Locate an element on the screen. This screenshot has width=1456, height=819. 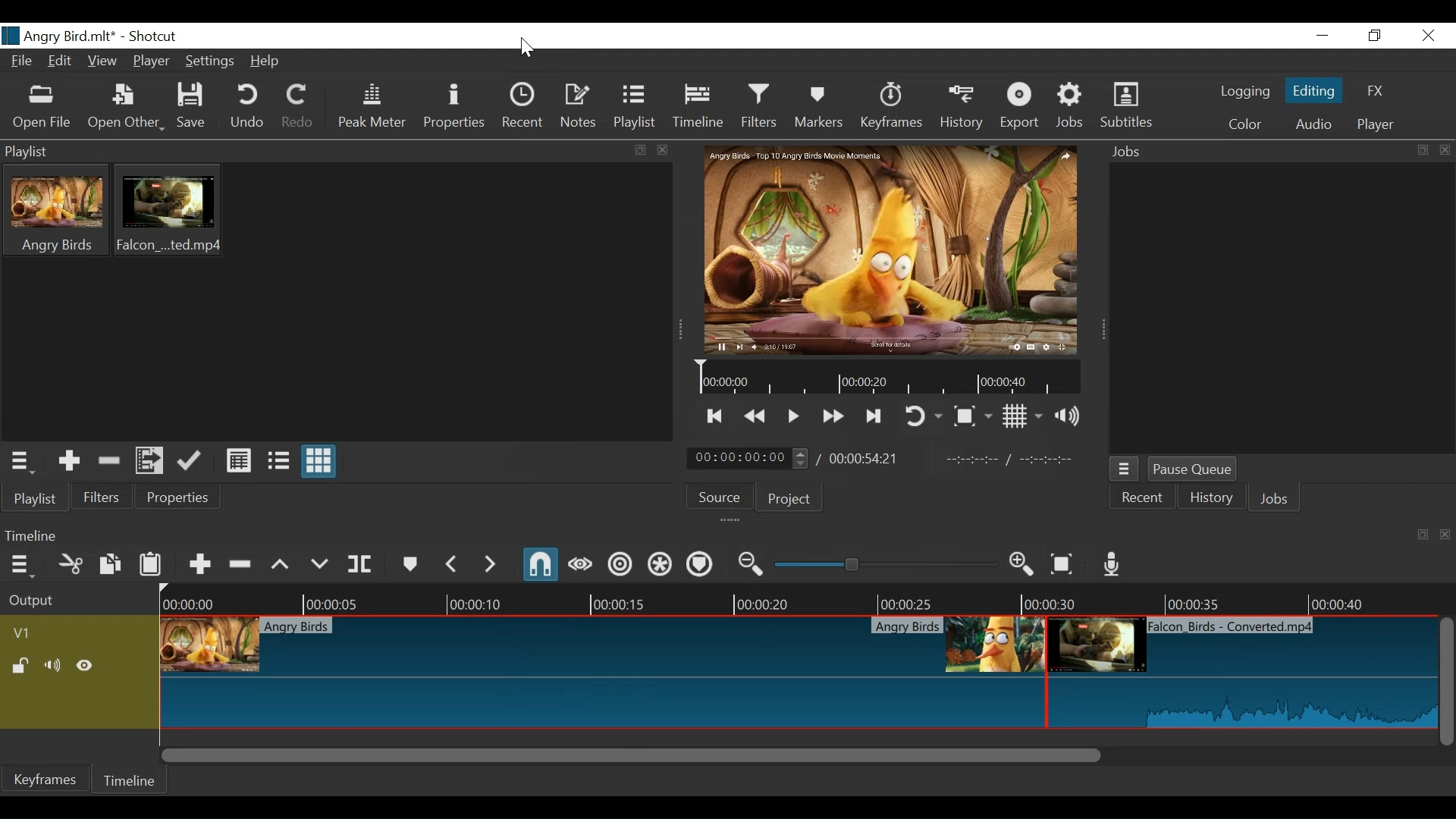
FX is located at coordinates (1378, 89).